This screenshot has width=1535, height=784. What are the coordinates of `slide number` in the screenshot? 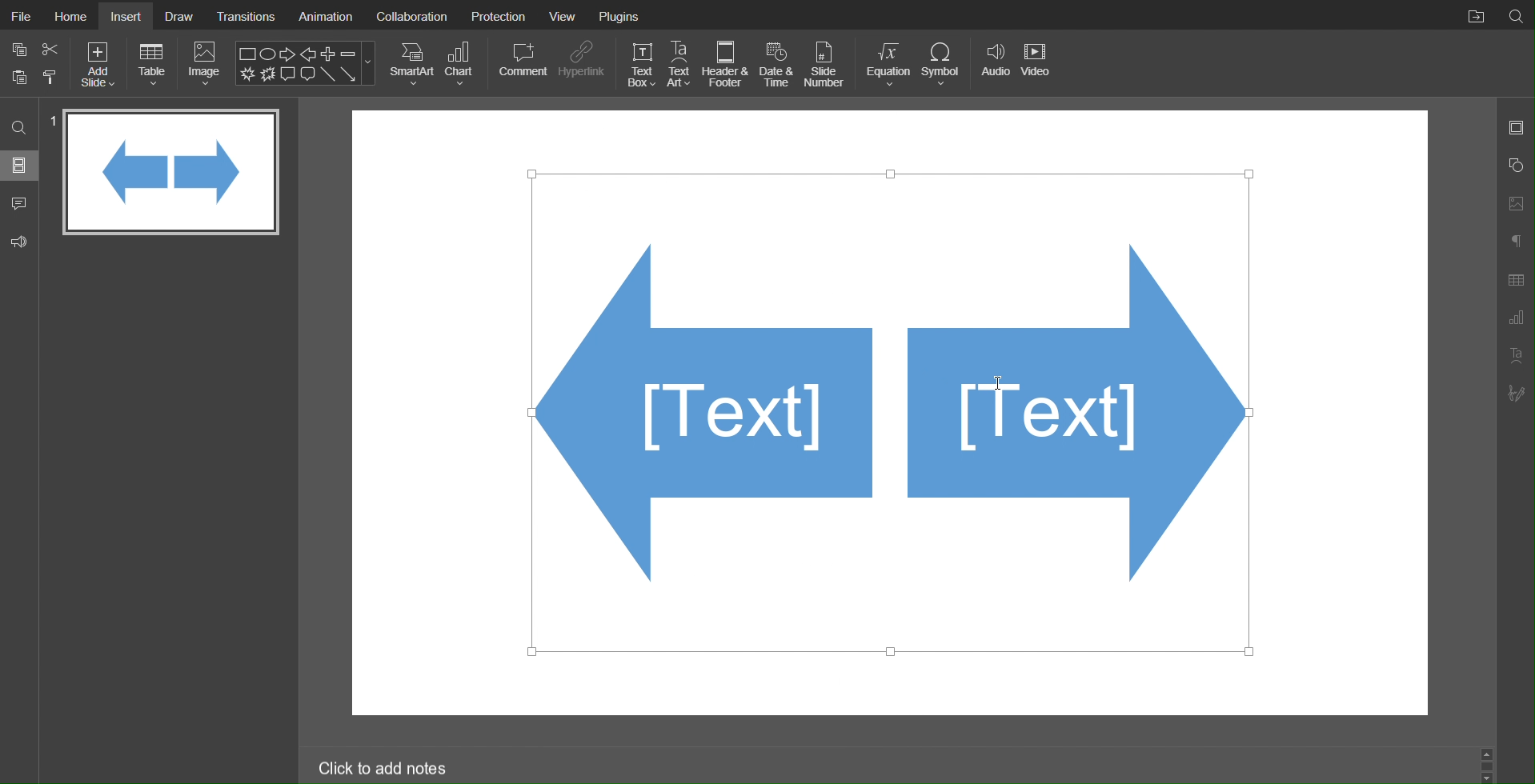 It's located at (50, 118).